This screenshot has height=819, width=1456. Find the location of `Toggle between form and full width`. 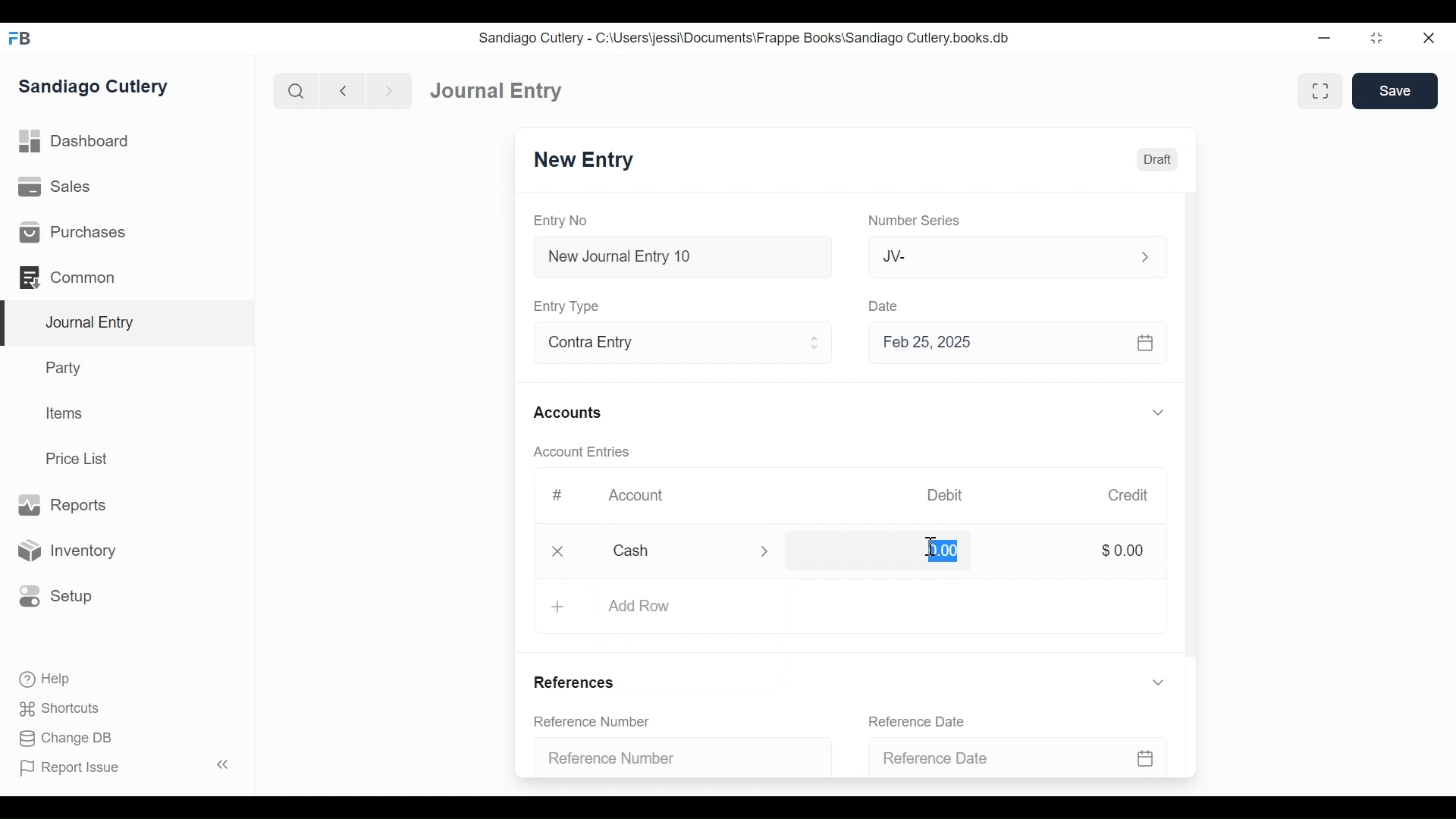

Toggle between form and full width is located at coordinates (1318, 89).